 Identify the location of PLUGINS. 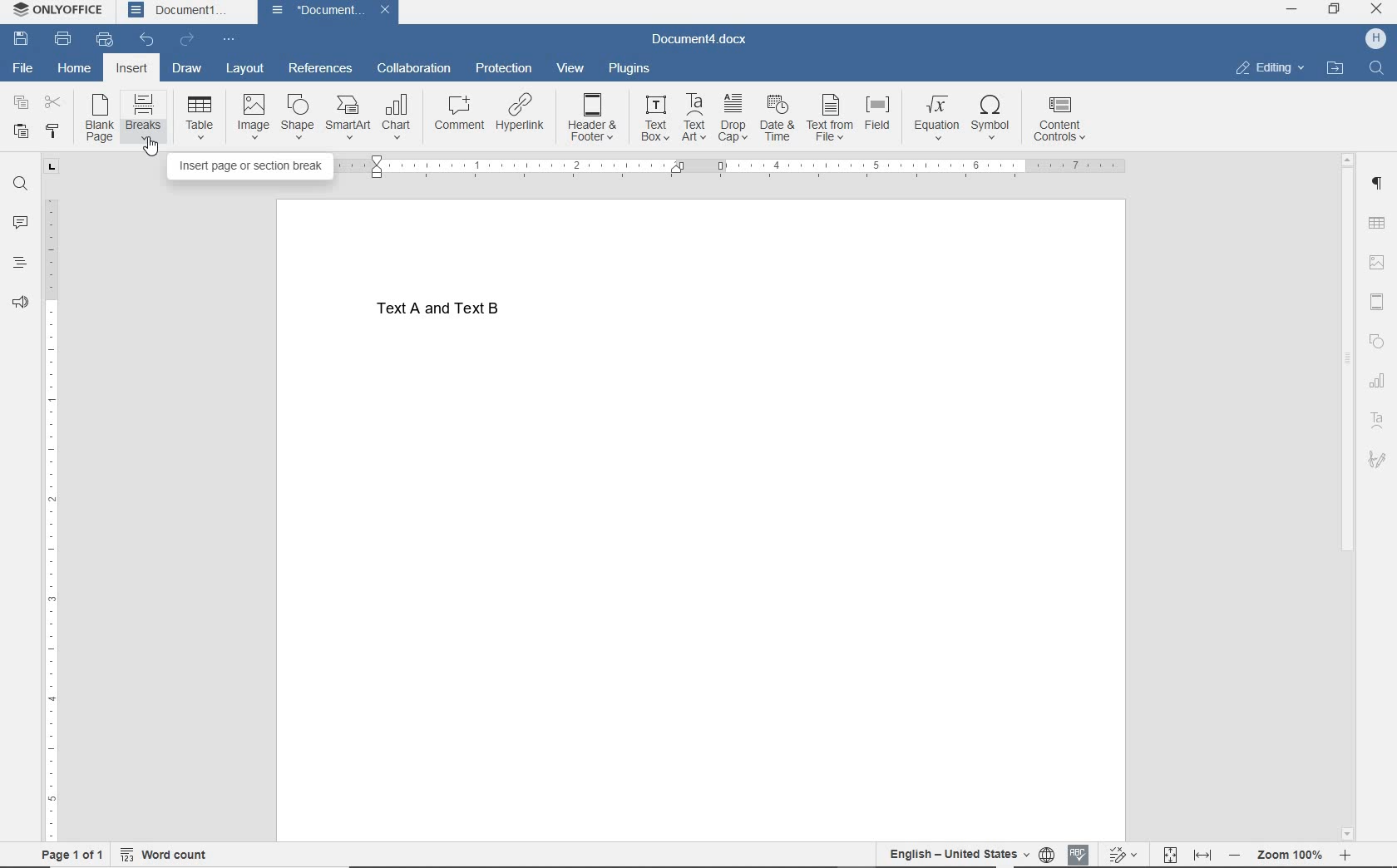
(629, 70).